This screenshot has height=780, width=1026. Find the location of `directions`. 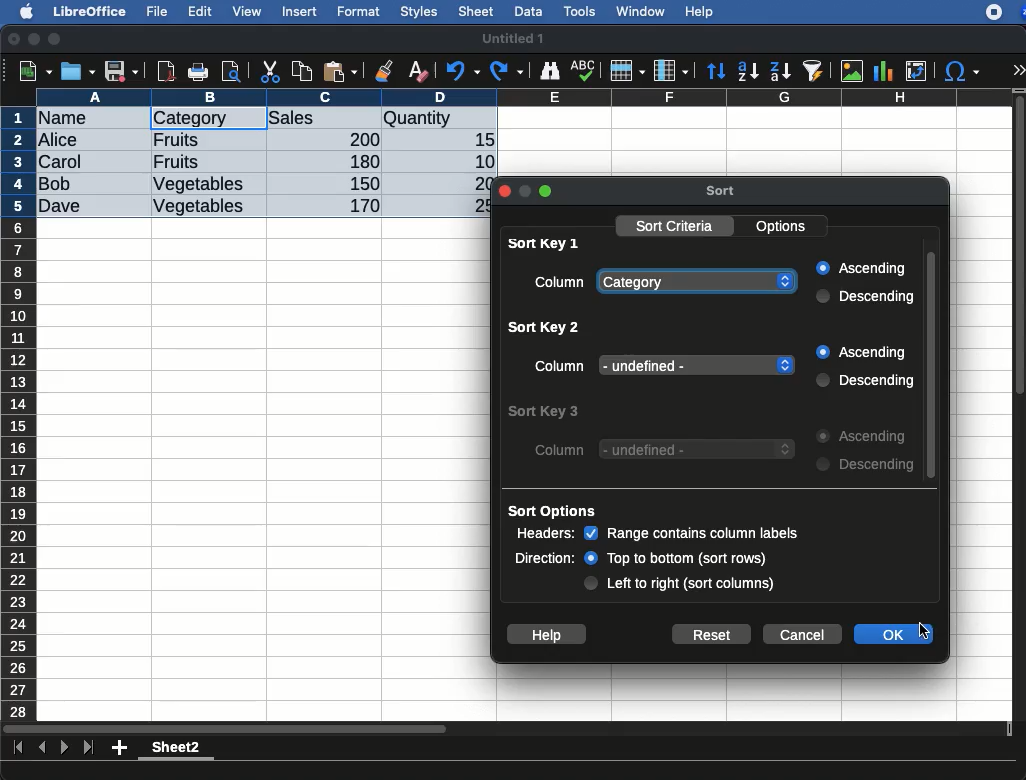

directions is located at coordinates (545, 559).